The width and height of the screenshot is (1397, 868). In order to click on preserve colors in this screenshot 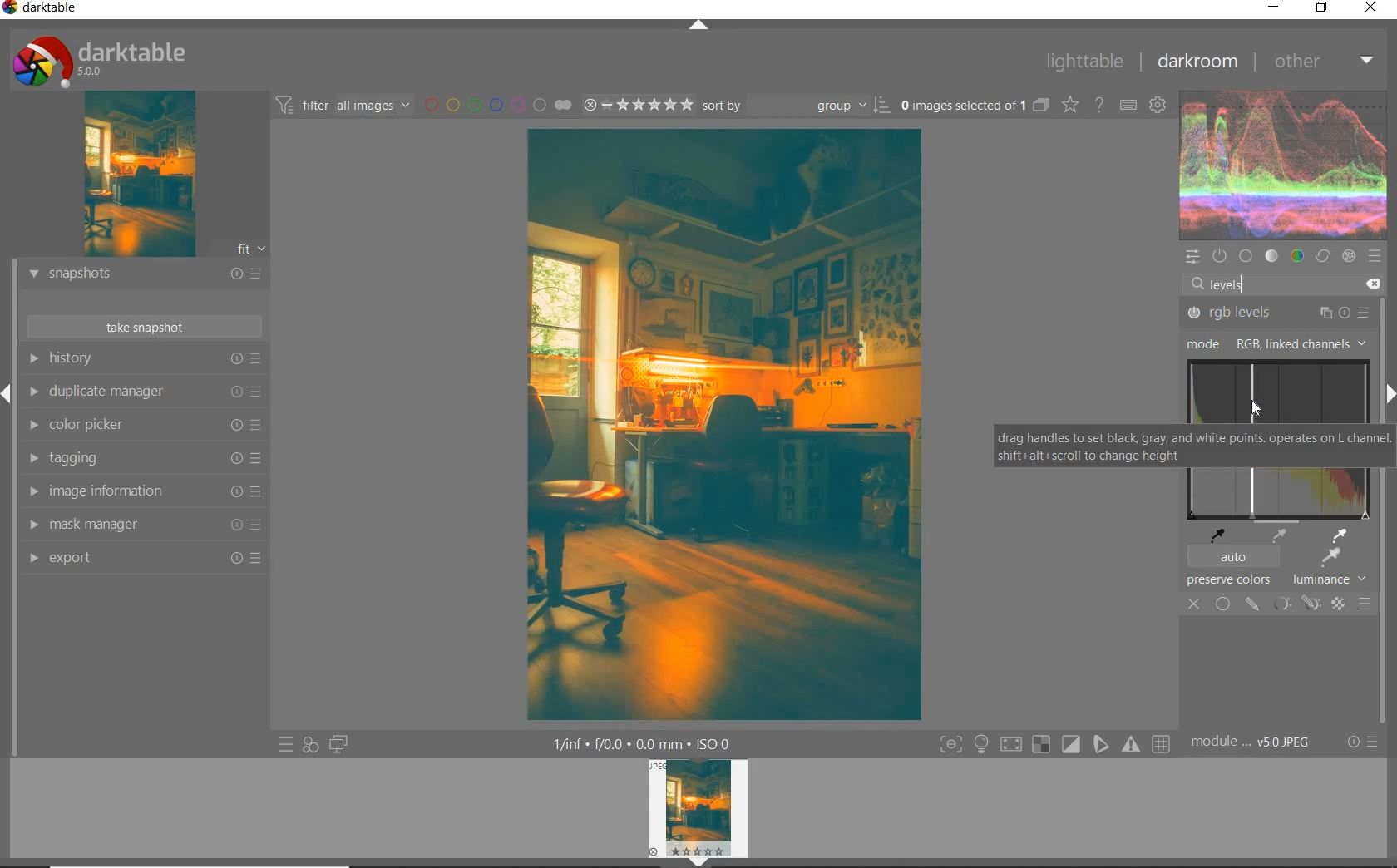, I will do `click(1229, 581)`.